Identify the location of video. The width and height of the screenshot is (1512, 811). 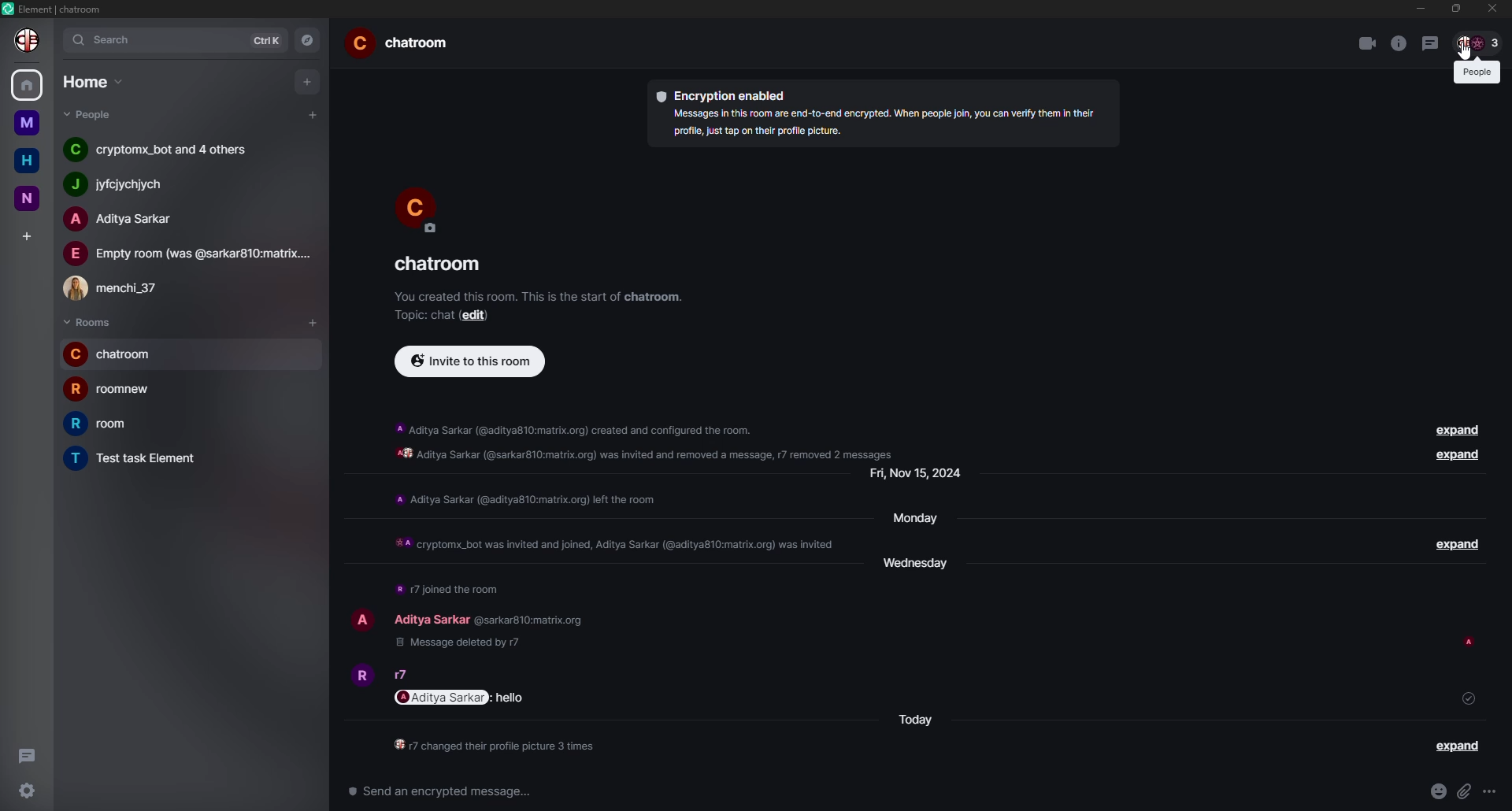
(1366, 43).